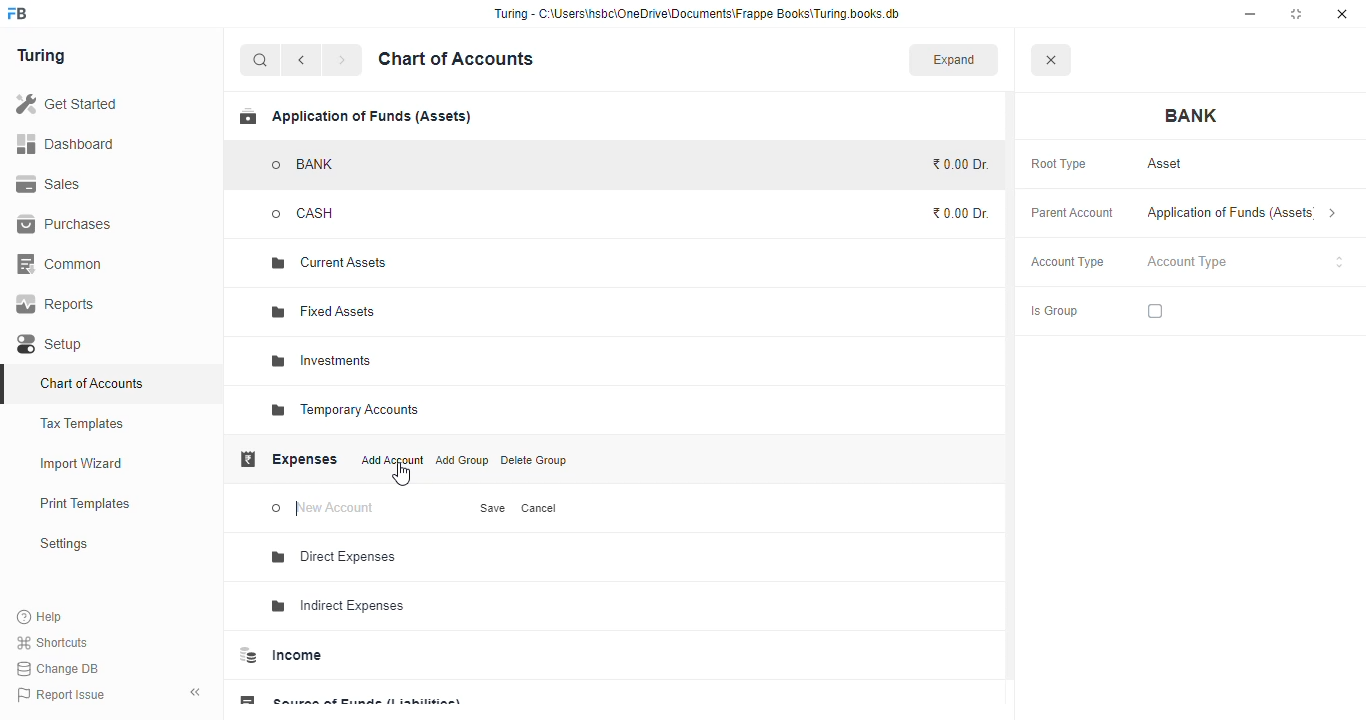 The image size is (1366, 720). Describe the element at coordinates (1250, 14) in the screenshot. I see `minimize` at that location.